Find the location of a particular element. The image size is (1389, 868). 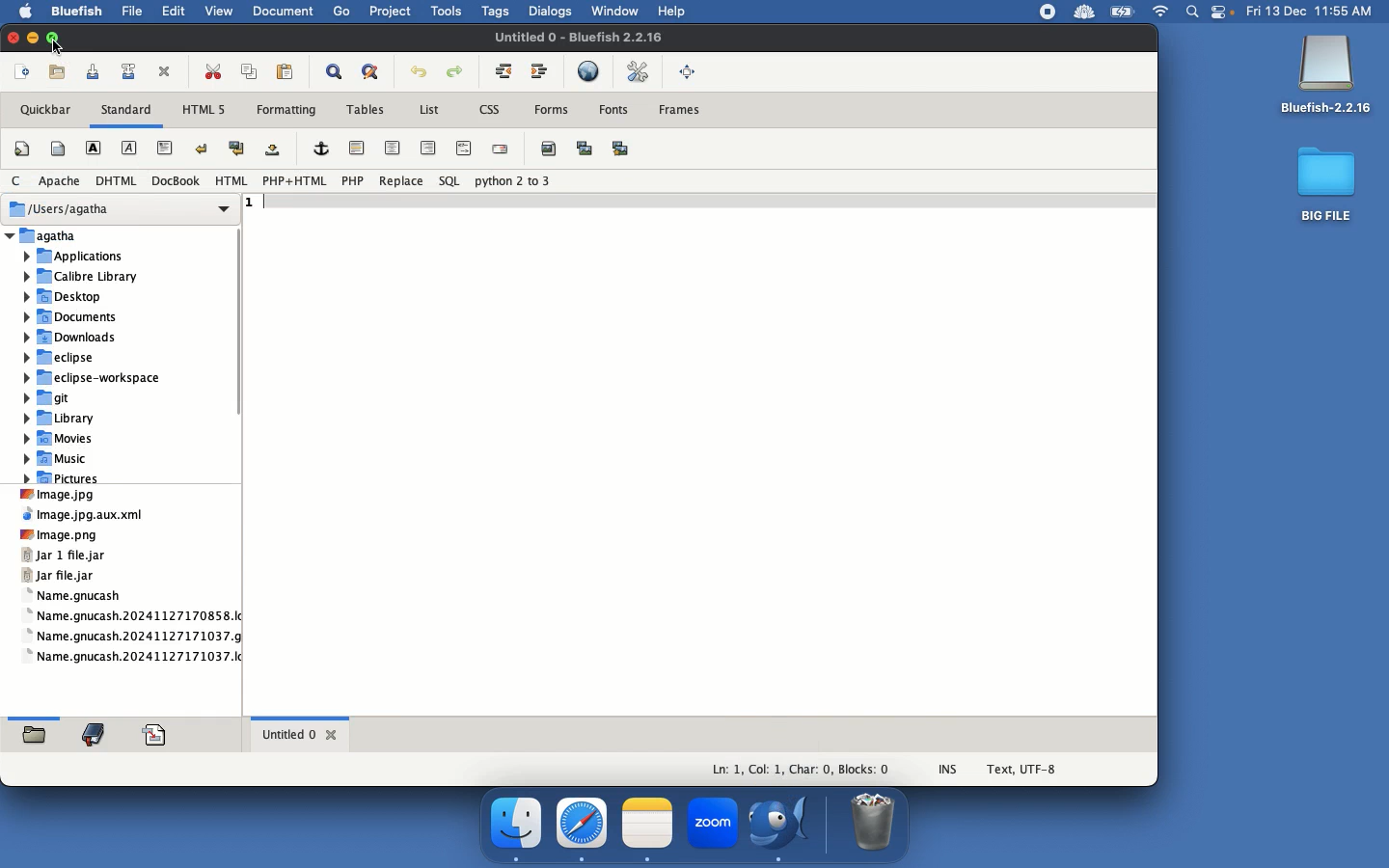

Image is located at coordinates (66, 536).